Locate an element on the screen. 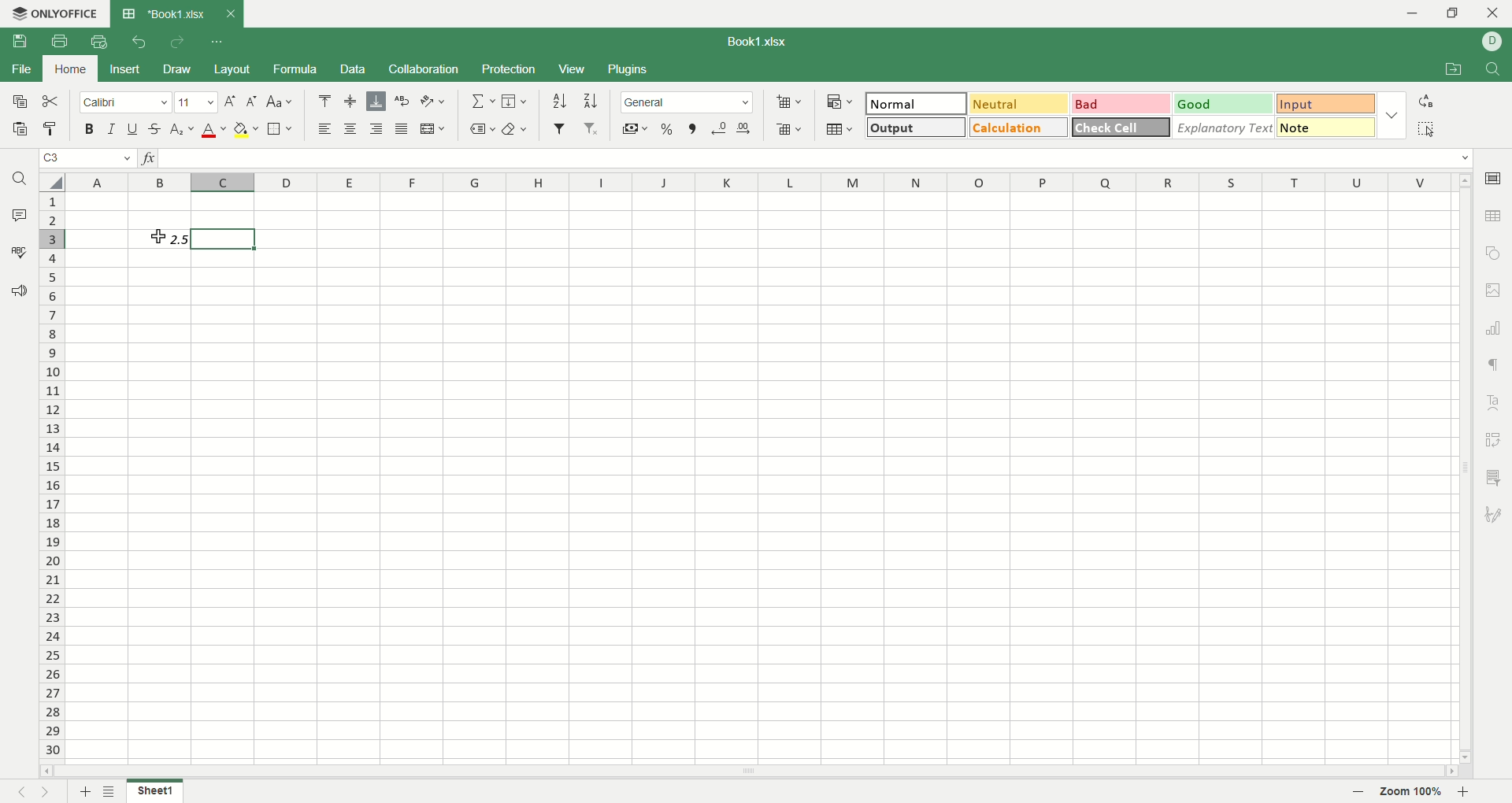 The width and height of the screenshot is (1512, 803). strikethrough is located at coordinates (156, 128).